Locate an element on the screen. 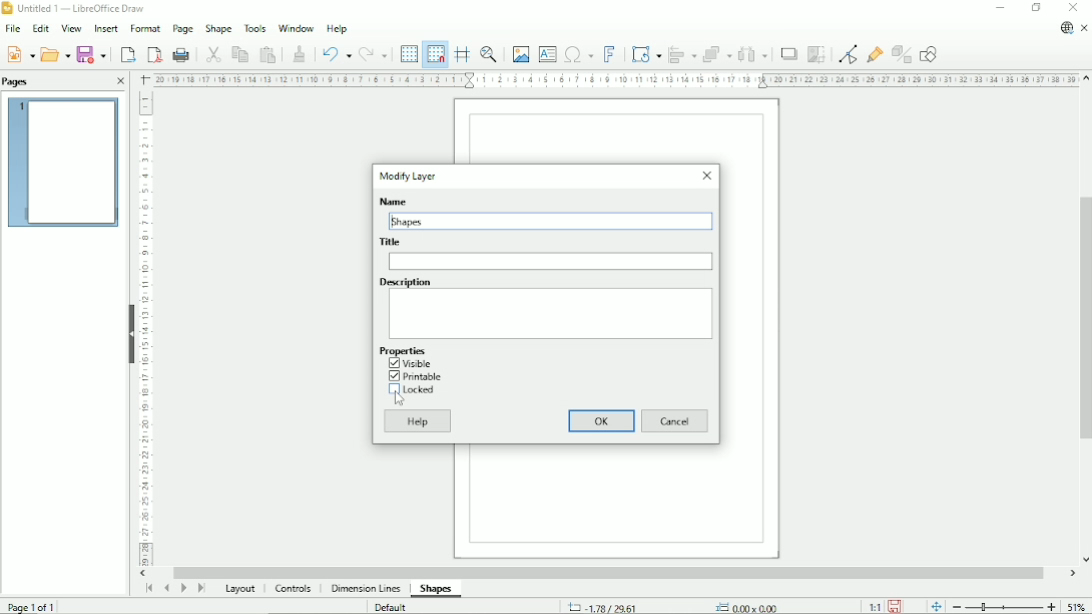  Visible is located at coordinates (411, 363).